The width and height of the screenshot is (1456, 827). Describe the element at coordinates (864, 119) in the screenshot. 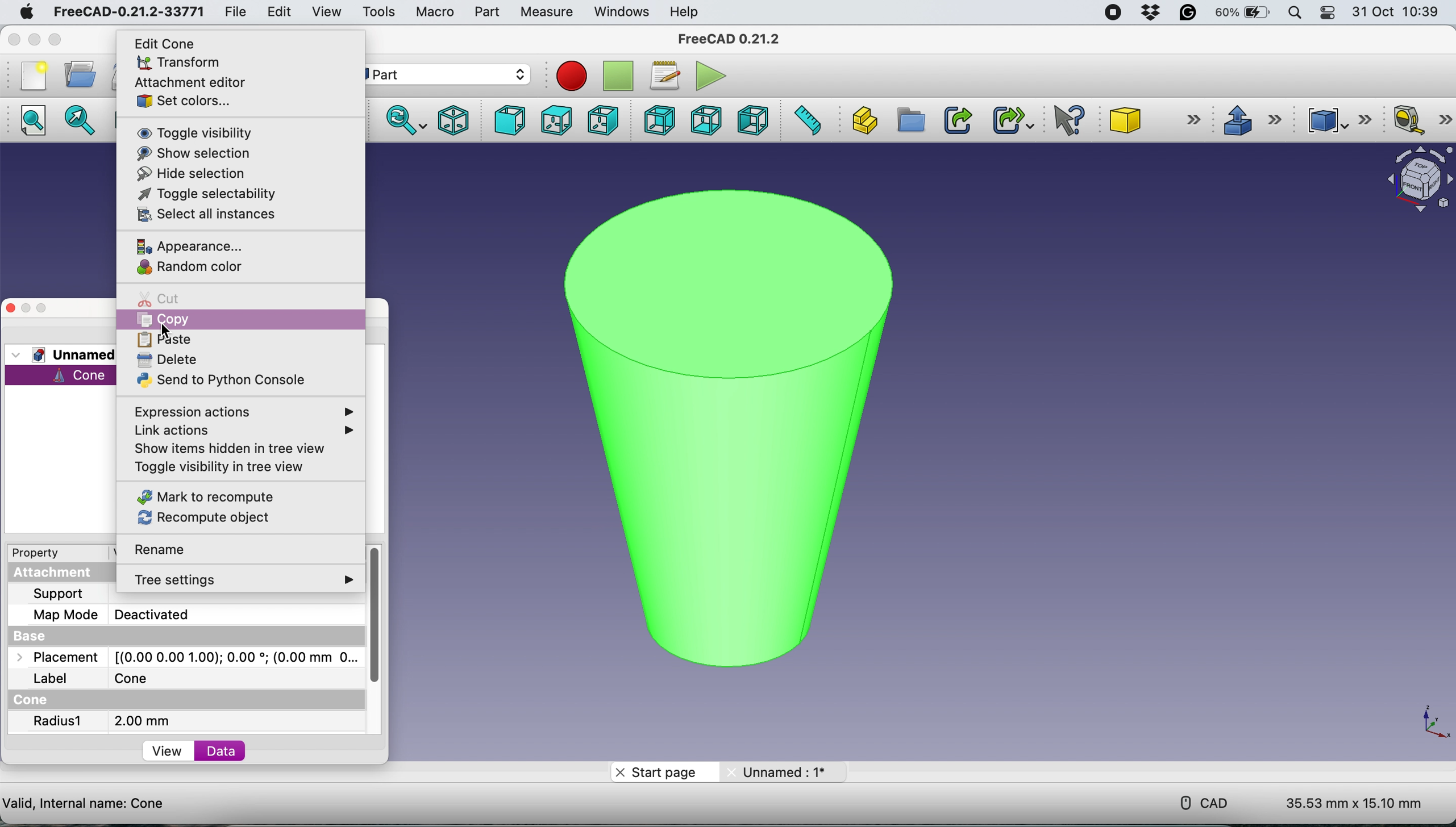

I see `create part` at that location.